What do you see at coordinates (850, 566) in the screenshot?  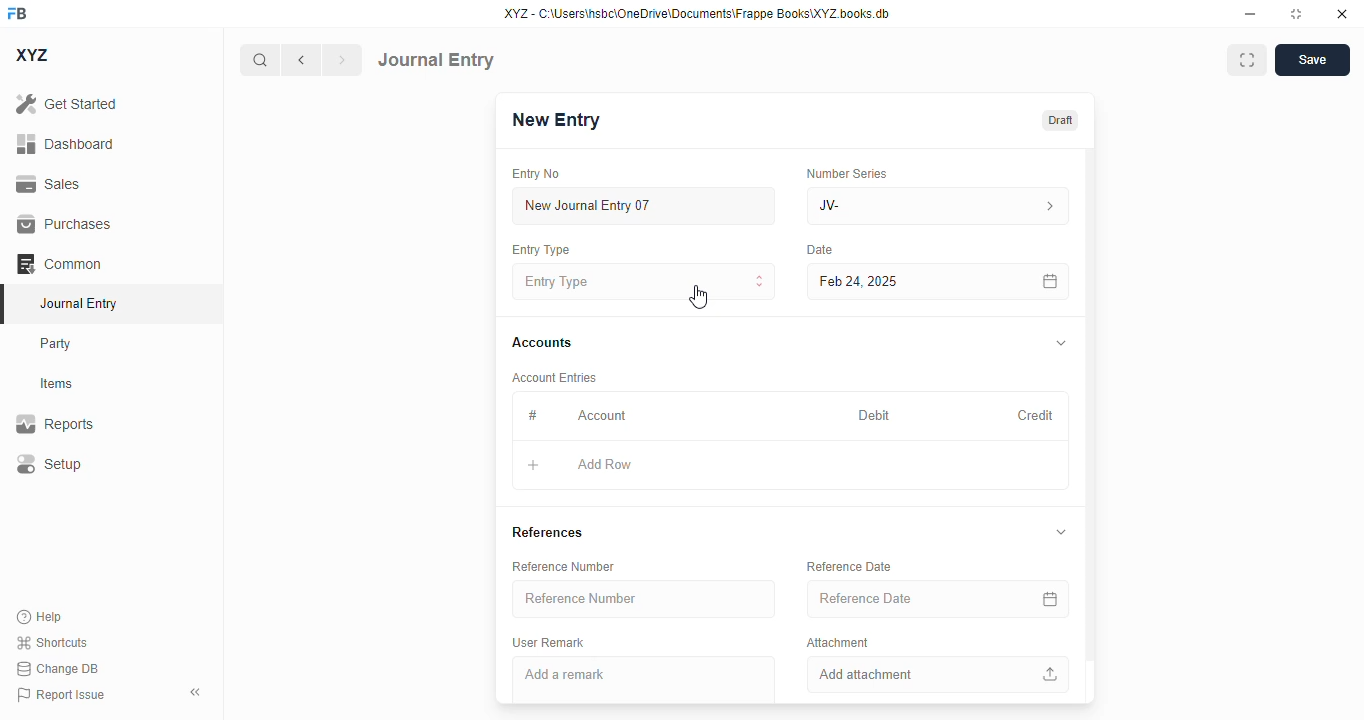 I see `reference date` at bounding box center [850, 566].